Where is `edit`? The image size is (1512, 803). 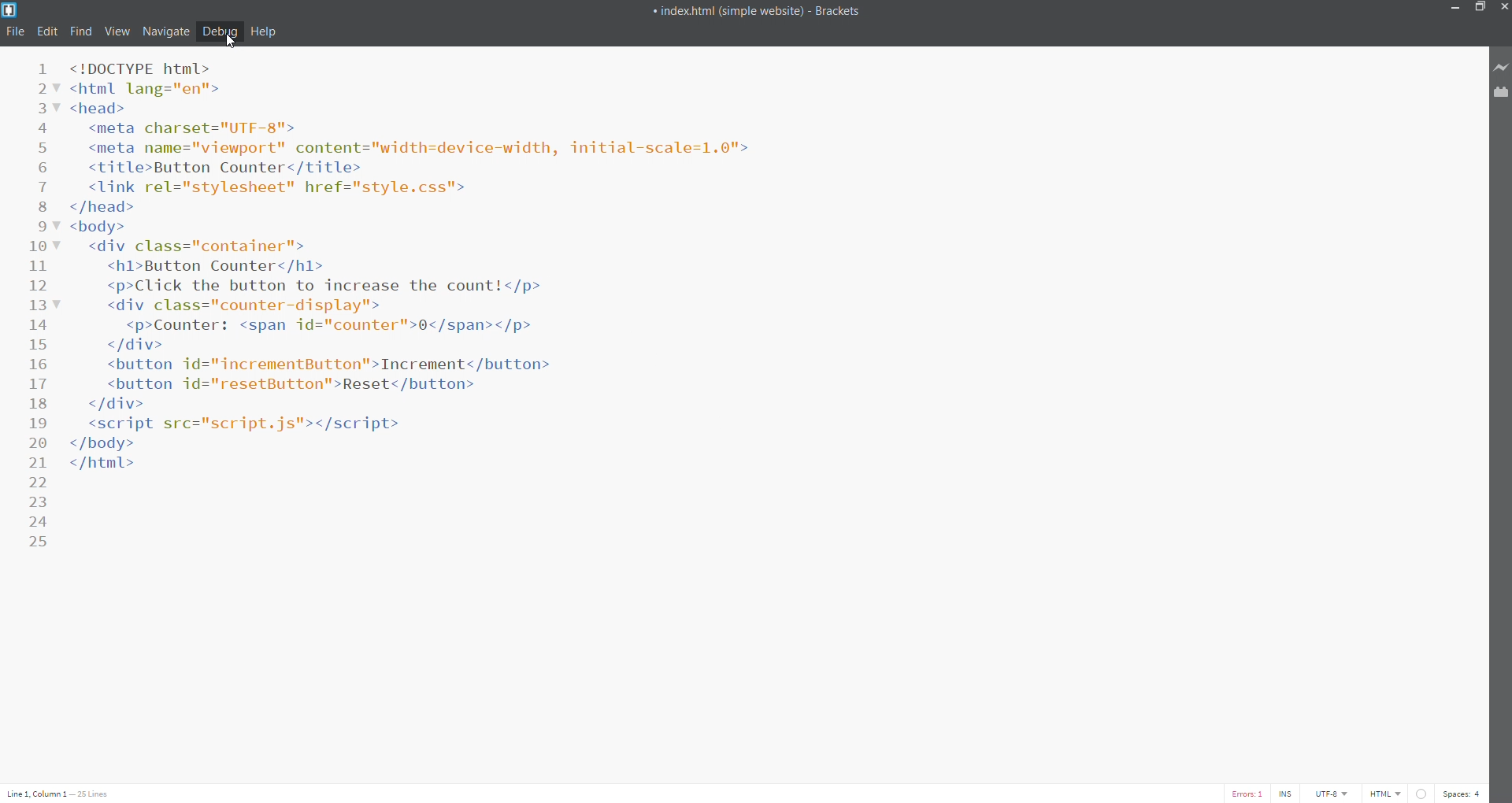
edit is located at coordinates (47, 32).